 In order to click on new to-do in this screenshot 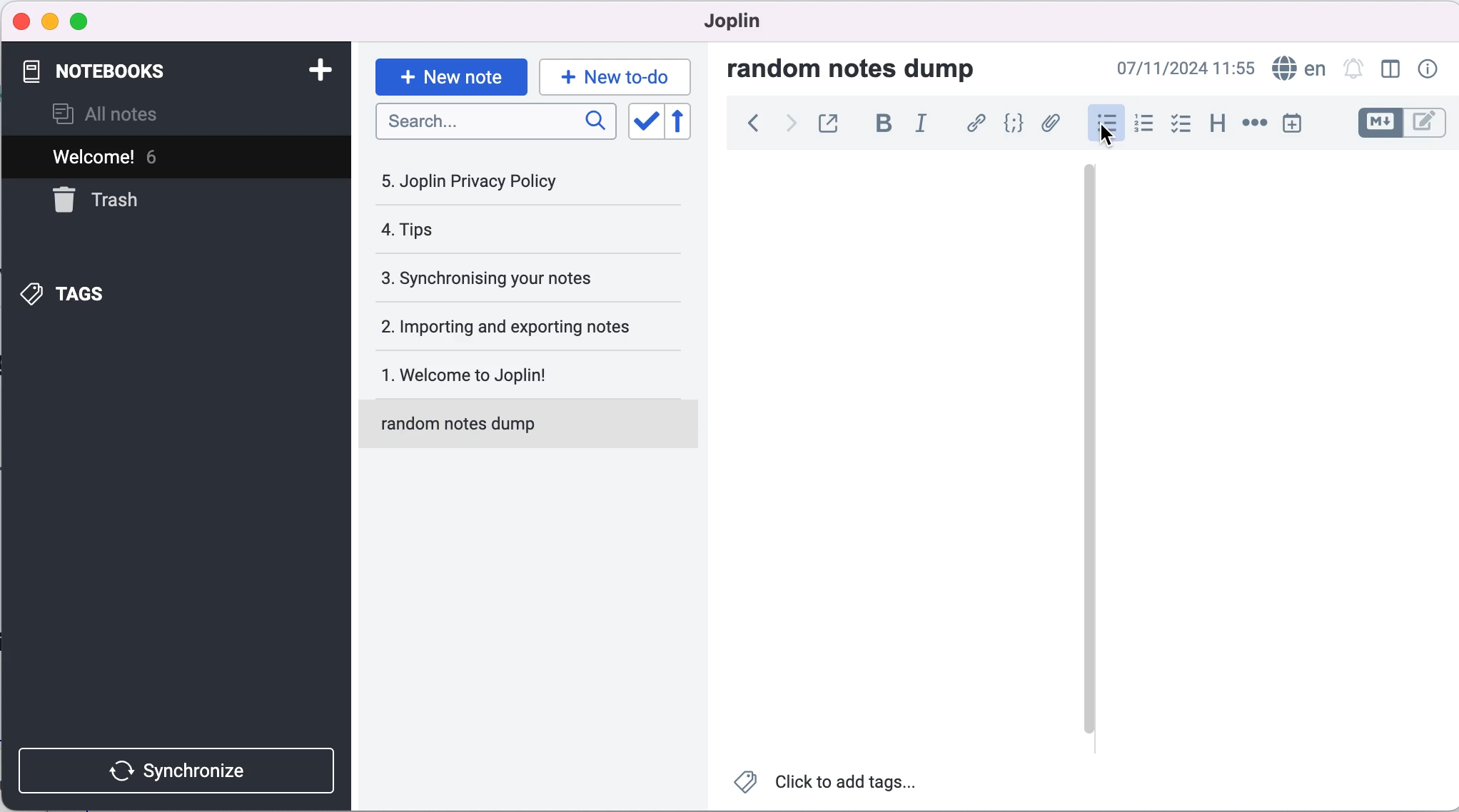, I will do `click(617, 76)`.